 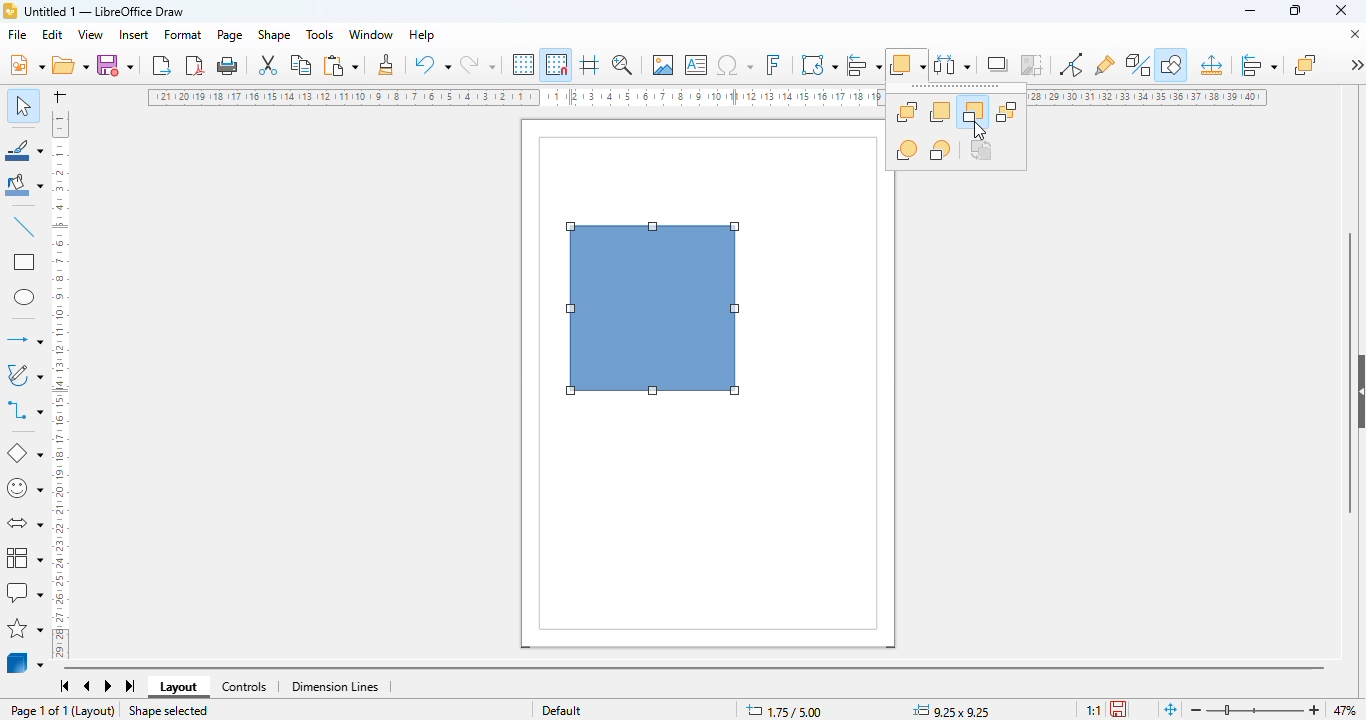 What do you see at coordinates (863, 64) in the screenshot?
I see `align objects` at bounding box center [863, 64].